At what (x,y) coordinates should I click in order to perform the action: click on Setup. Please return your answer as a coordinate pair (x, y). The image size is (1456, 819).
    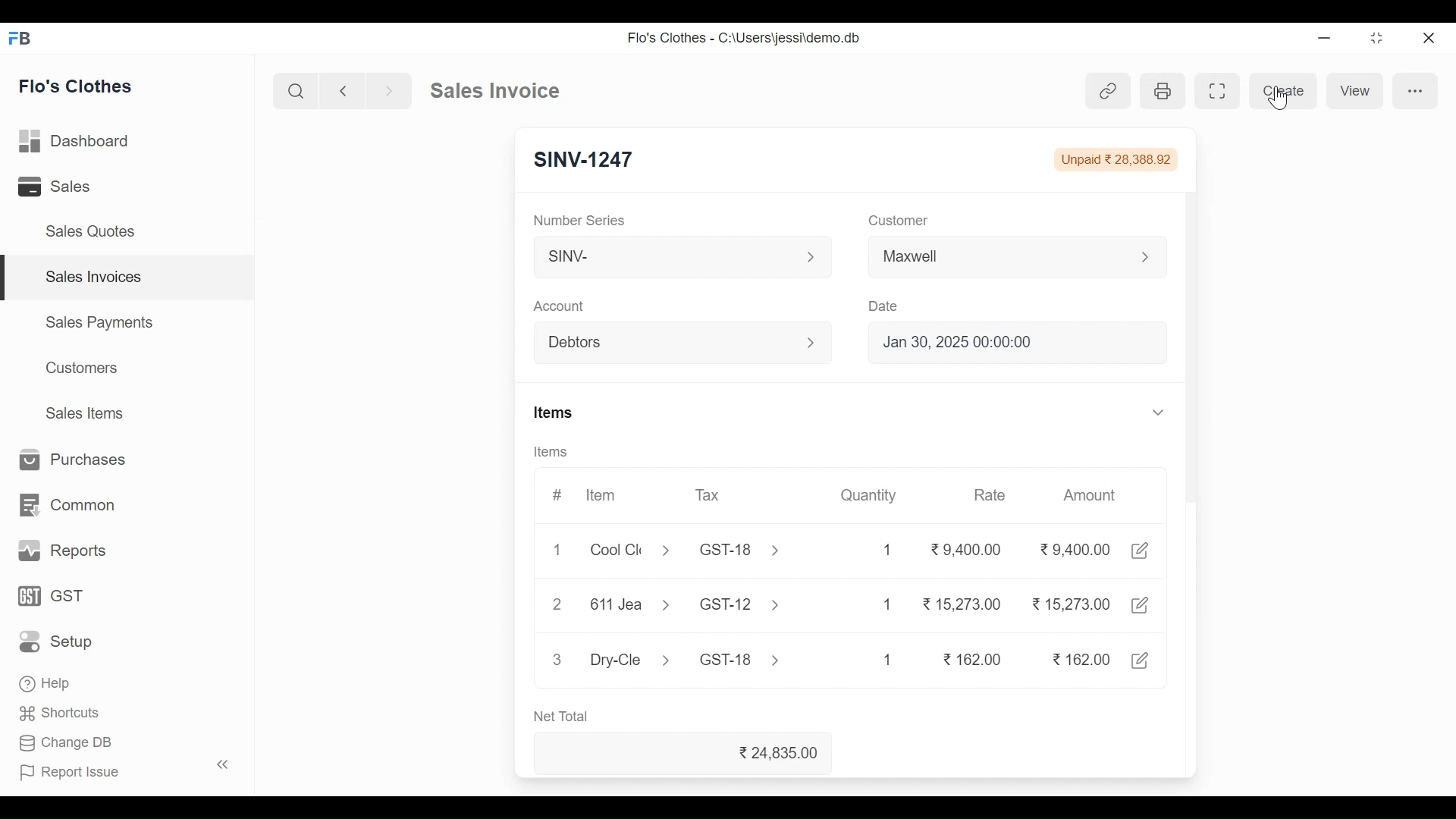
    Looking at the image, I should click on (61, 641).